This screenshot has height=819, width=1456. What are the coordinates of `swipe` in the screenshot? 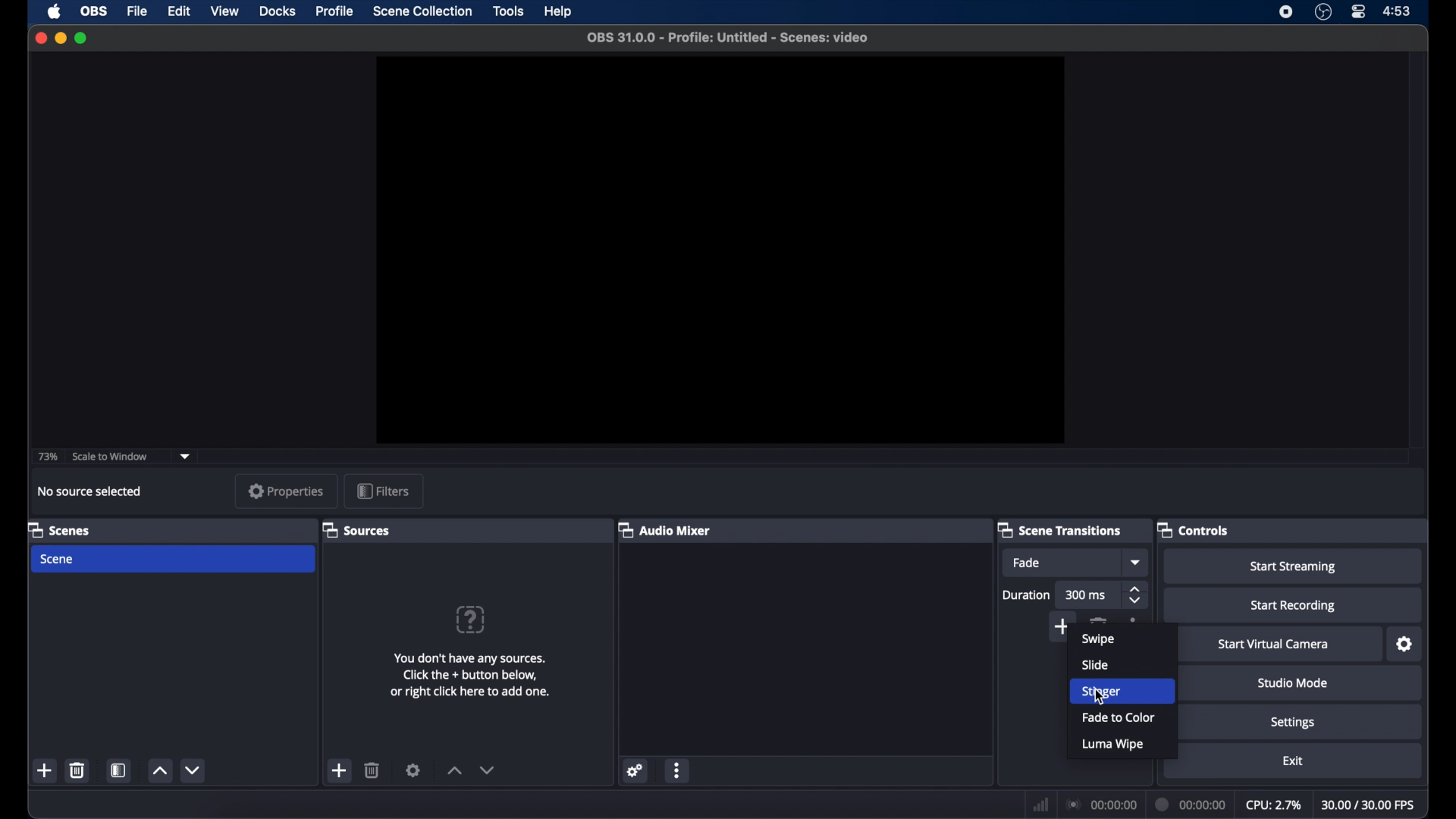 It's located at (1098, 639).